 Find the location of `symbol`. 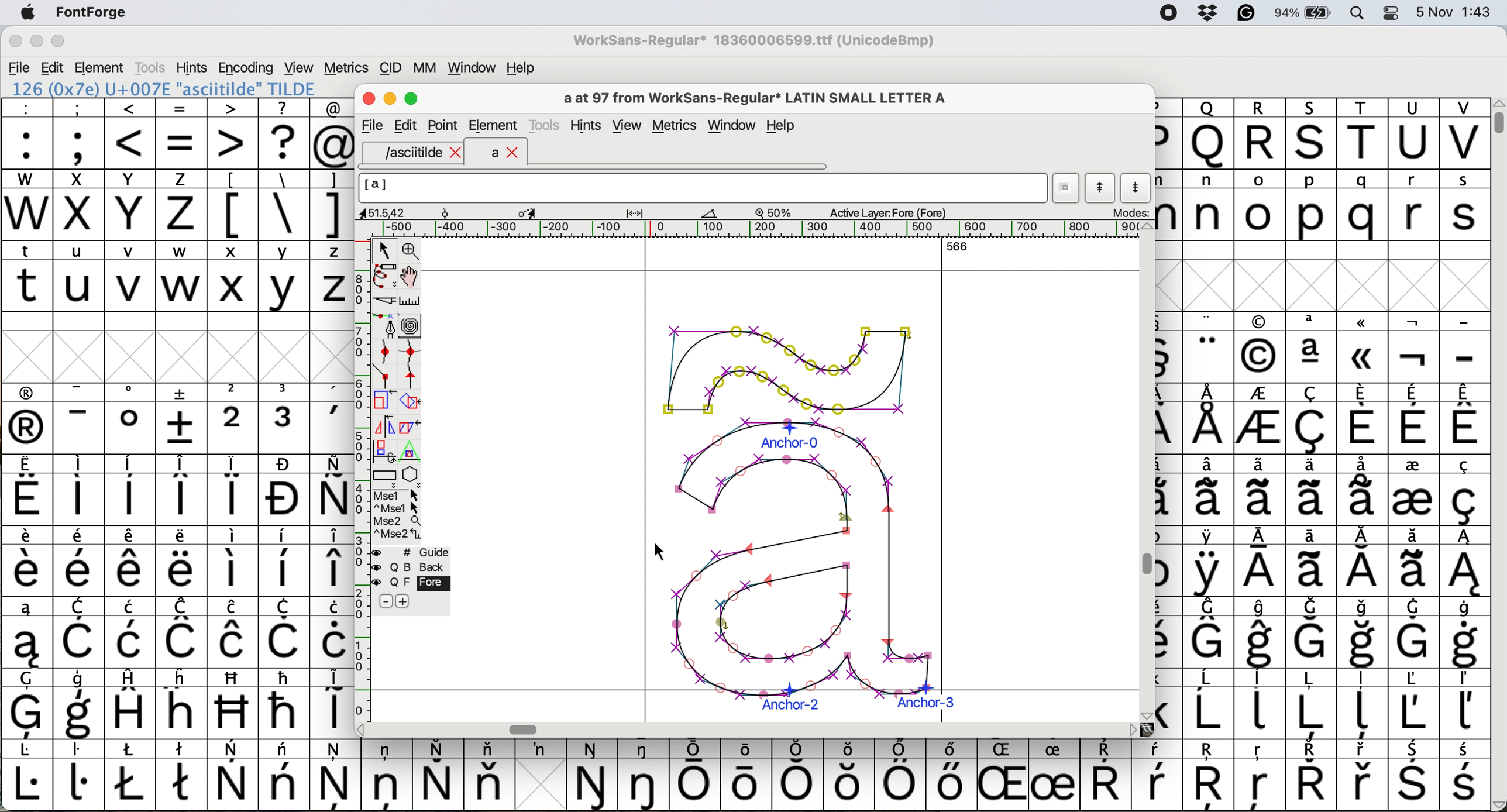

symbol is located at coordinates (130, 490).